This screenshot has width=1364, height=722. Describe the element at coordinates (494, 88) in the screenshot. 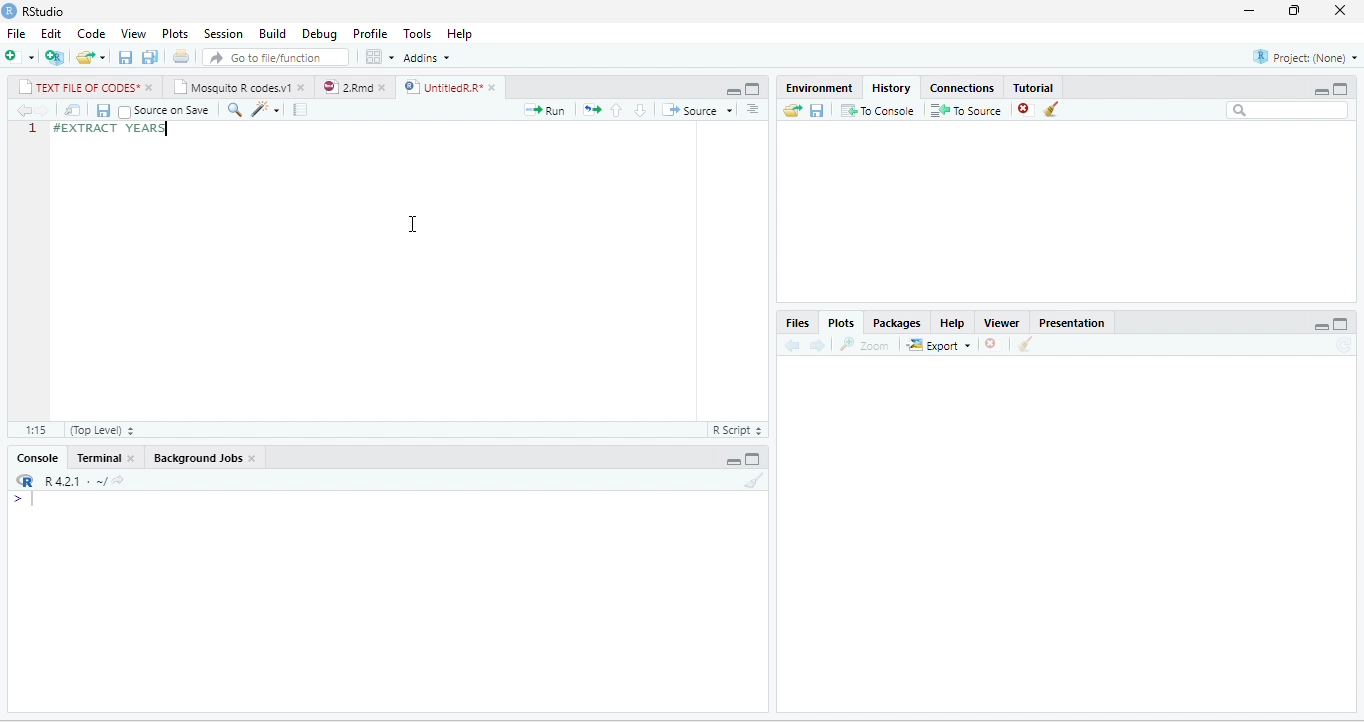

I see `close` at that location.